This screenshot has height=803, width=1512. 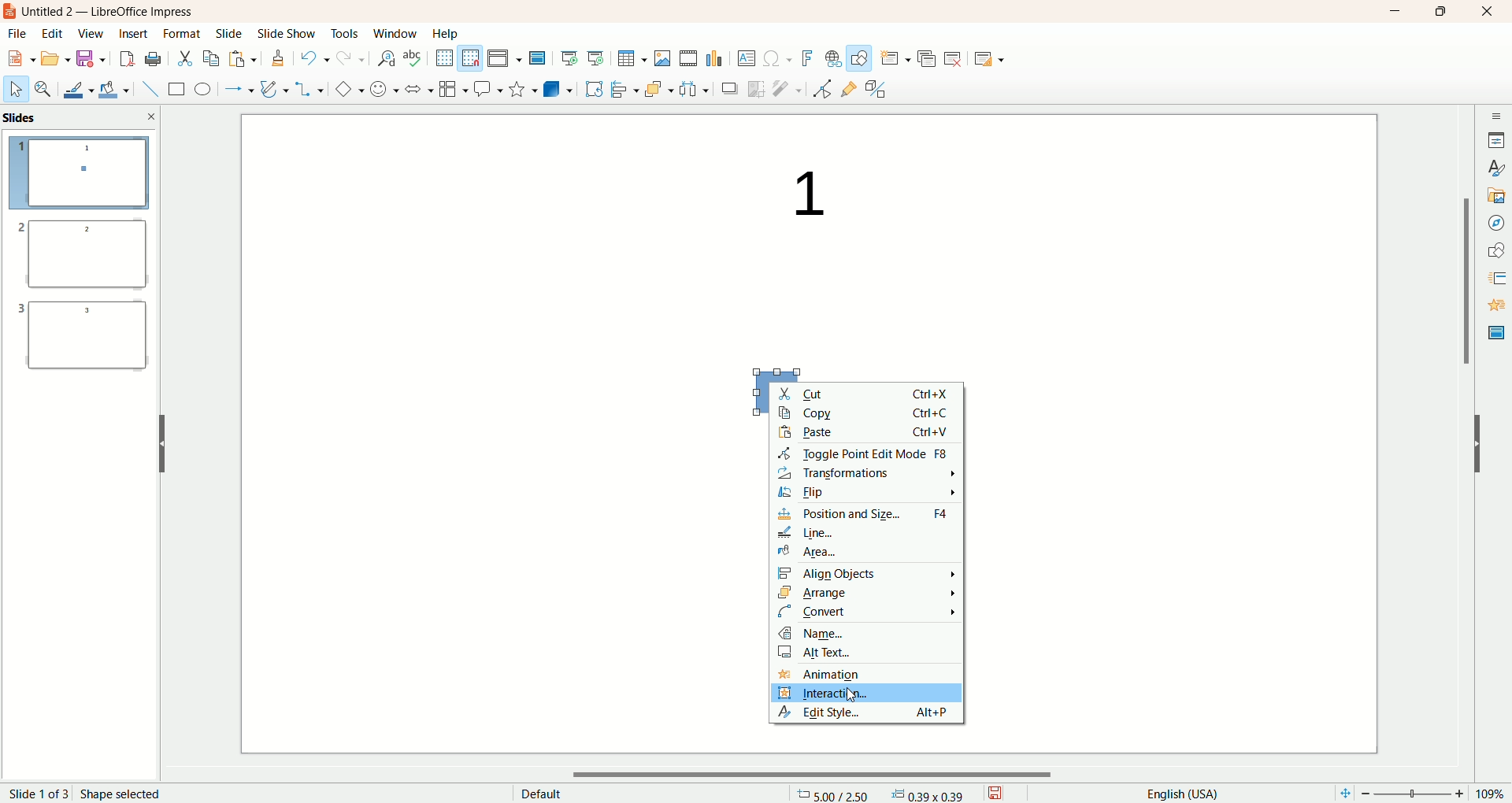 What do you see at coordinates (840, 513) in the screenshot?
I see `position and size` at bounding box center [840, 513].